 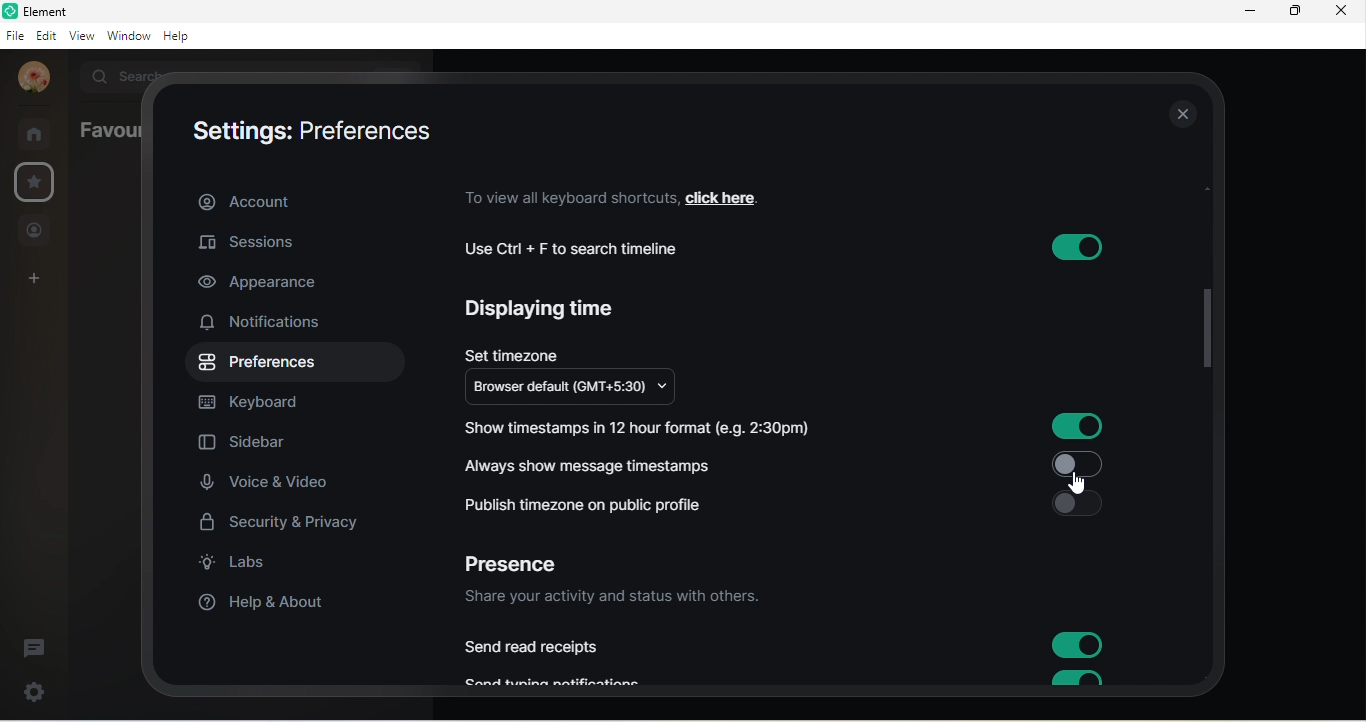 I want to click on close, so click(x=1346, y=14).